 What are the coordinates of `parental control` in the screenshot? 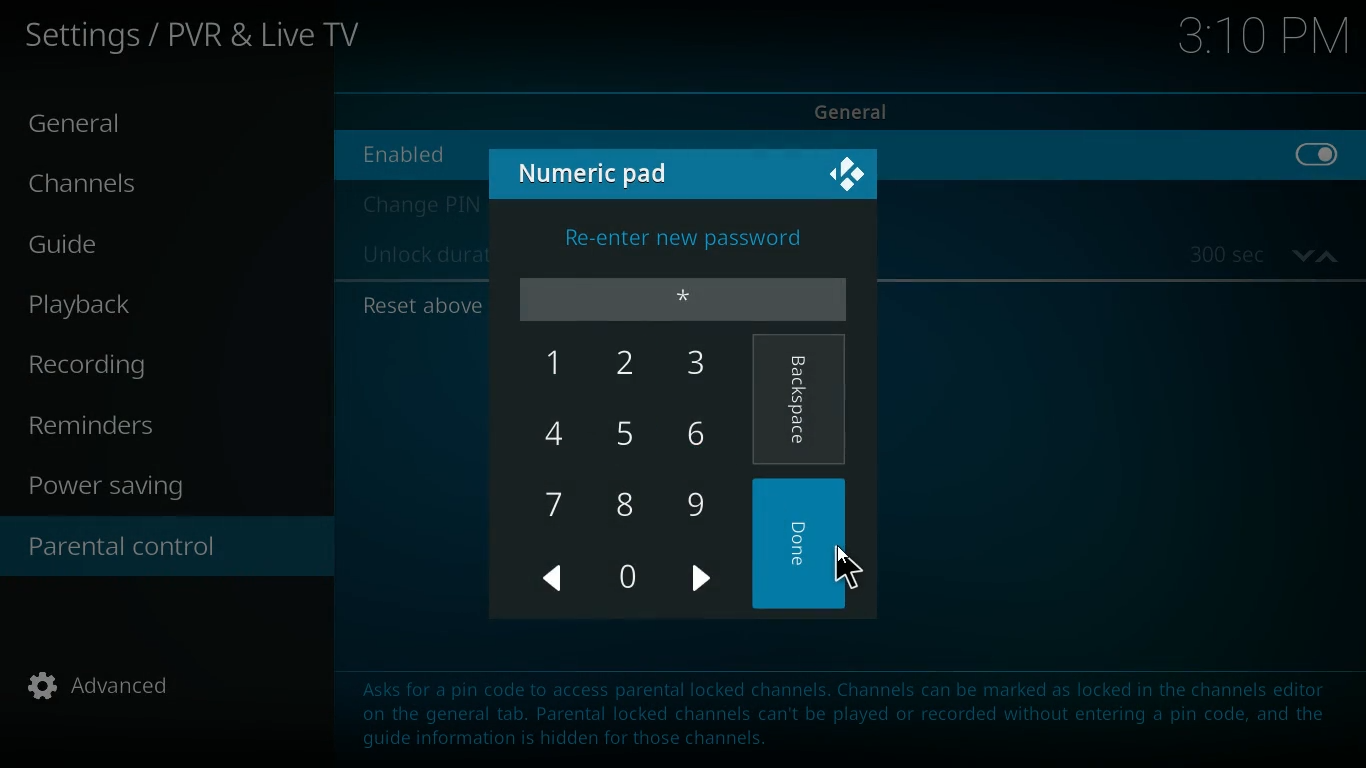 It's located at (167, 549).